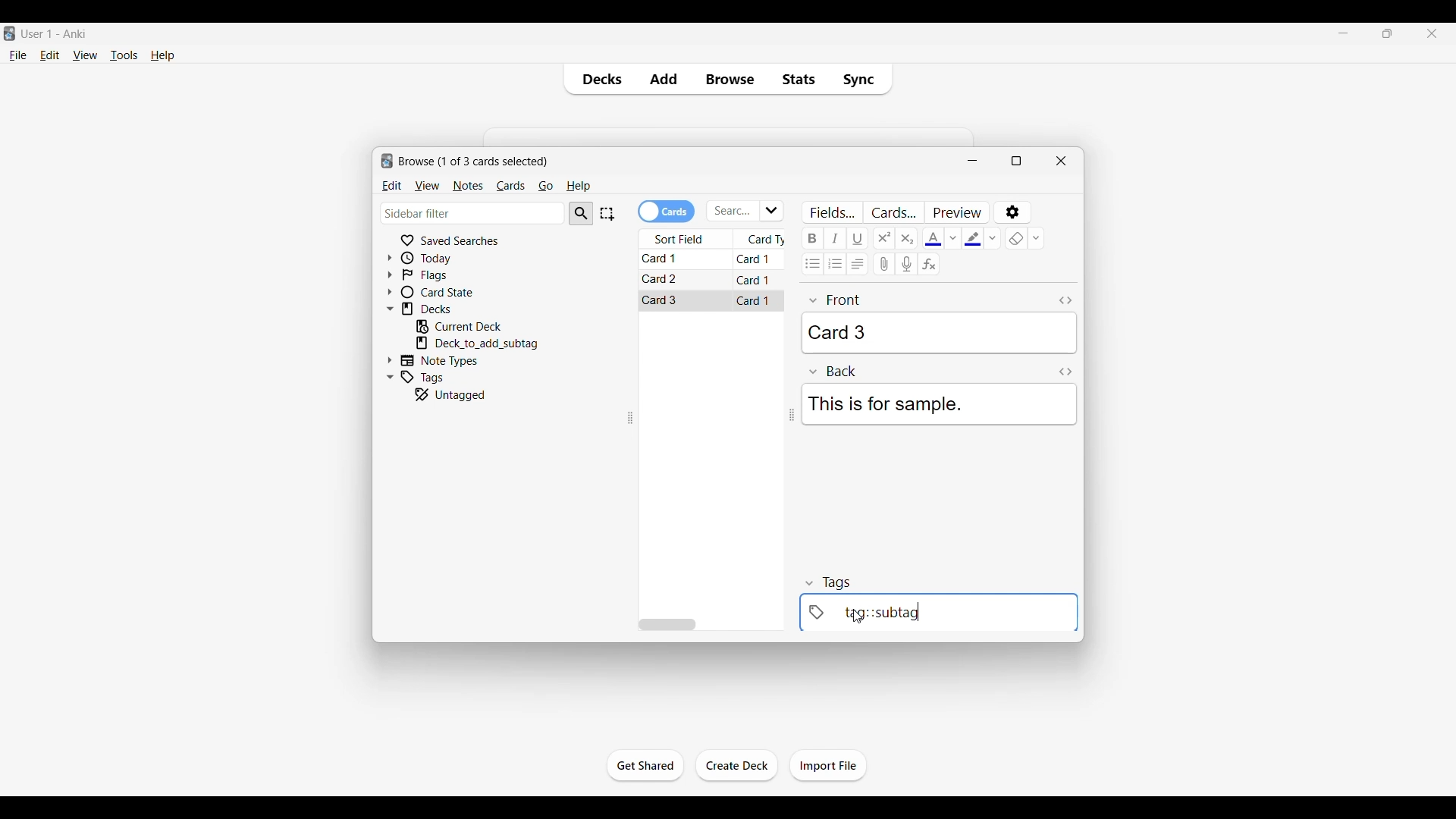 This screenshot has width=1456, height=819. I want to click on Click to go to Flags , so click(449, 275).